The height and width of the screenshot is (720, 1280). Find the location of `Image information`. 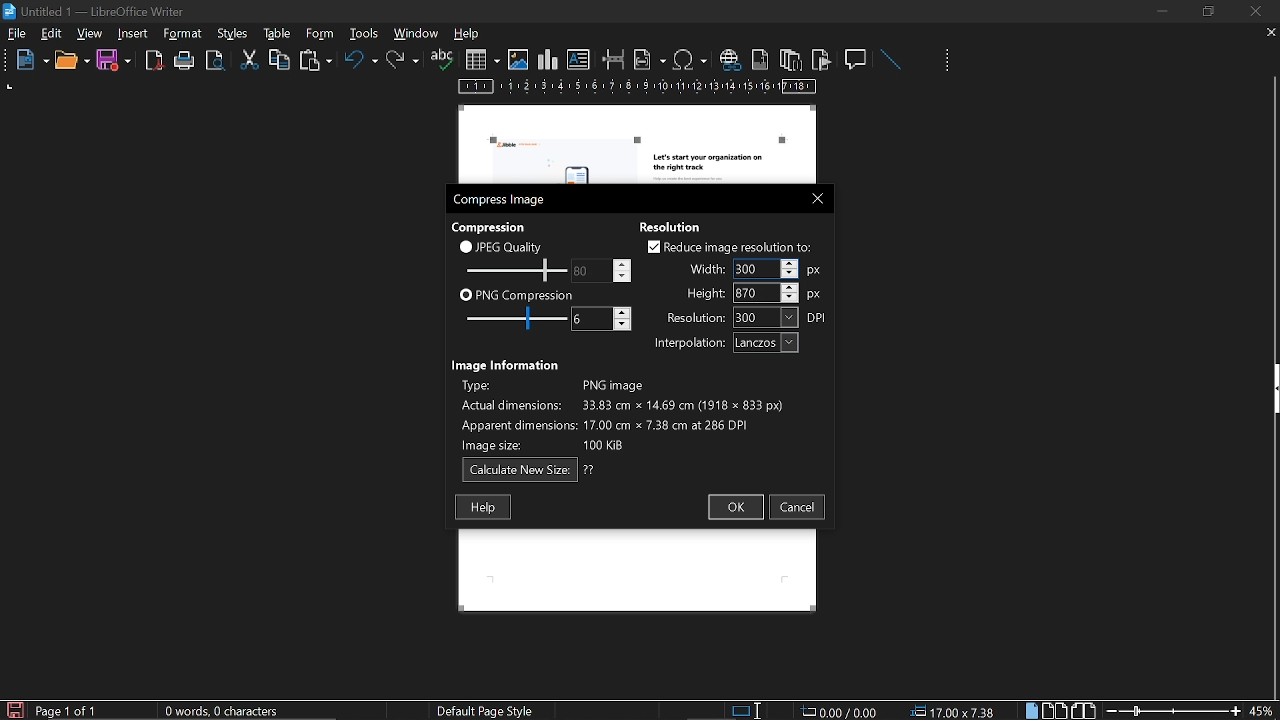

Image information is located at coordinates (508, 363).